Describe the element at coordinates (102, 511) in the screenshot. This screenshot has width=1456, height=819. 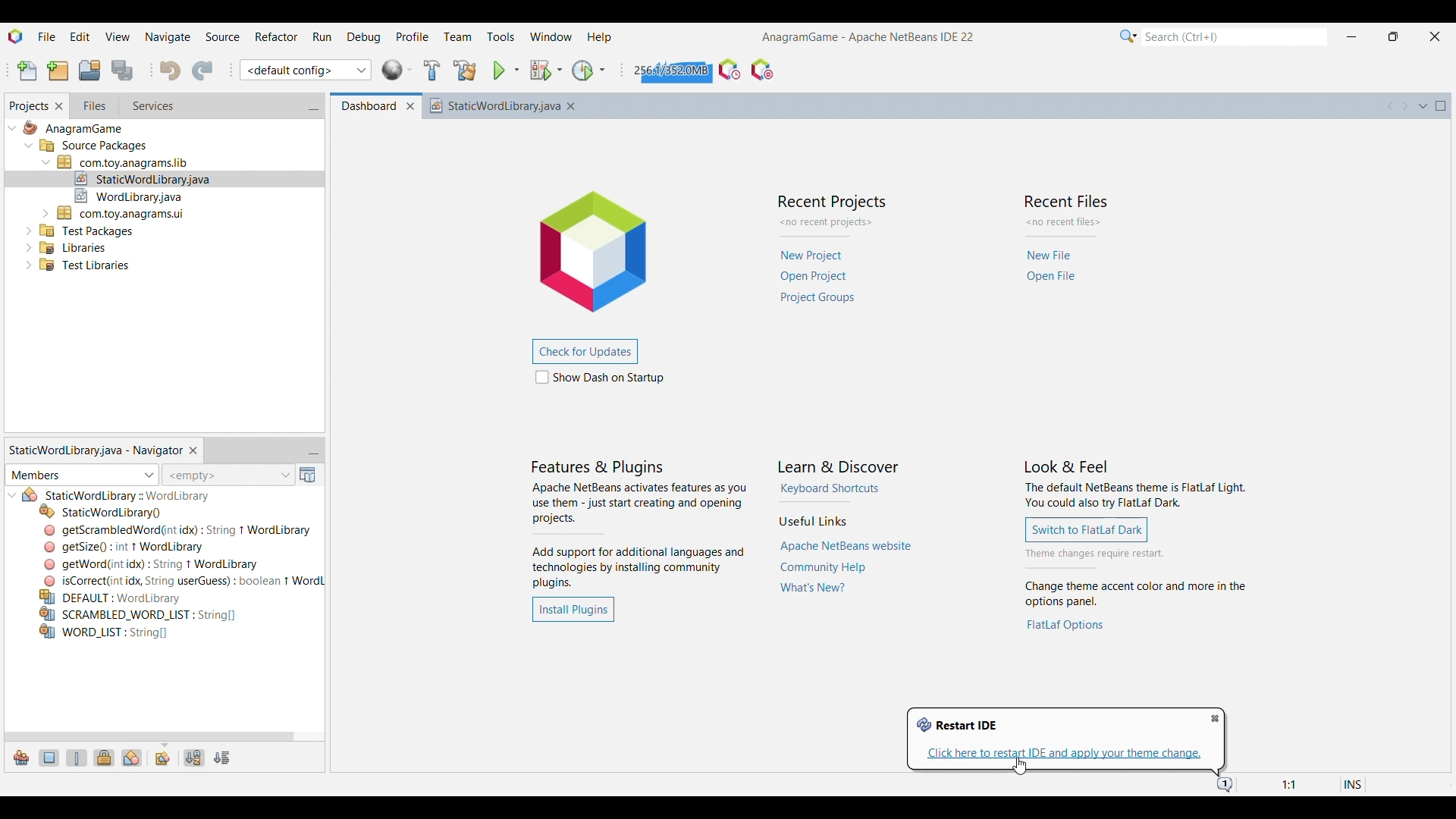
I see `` at that location.